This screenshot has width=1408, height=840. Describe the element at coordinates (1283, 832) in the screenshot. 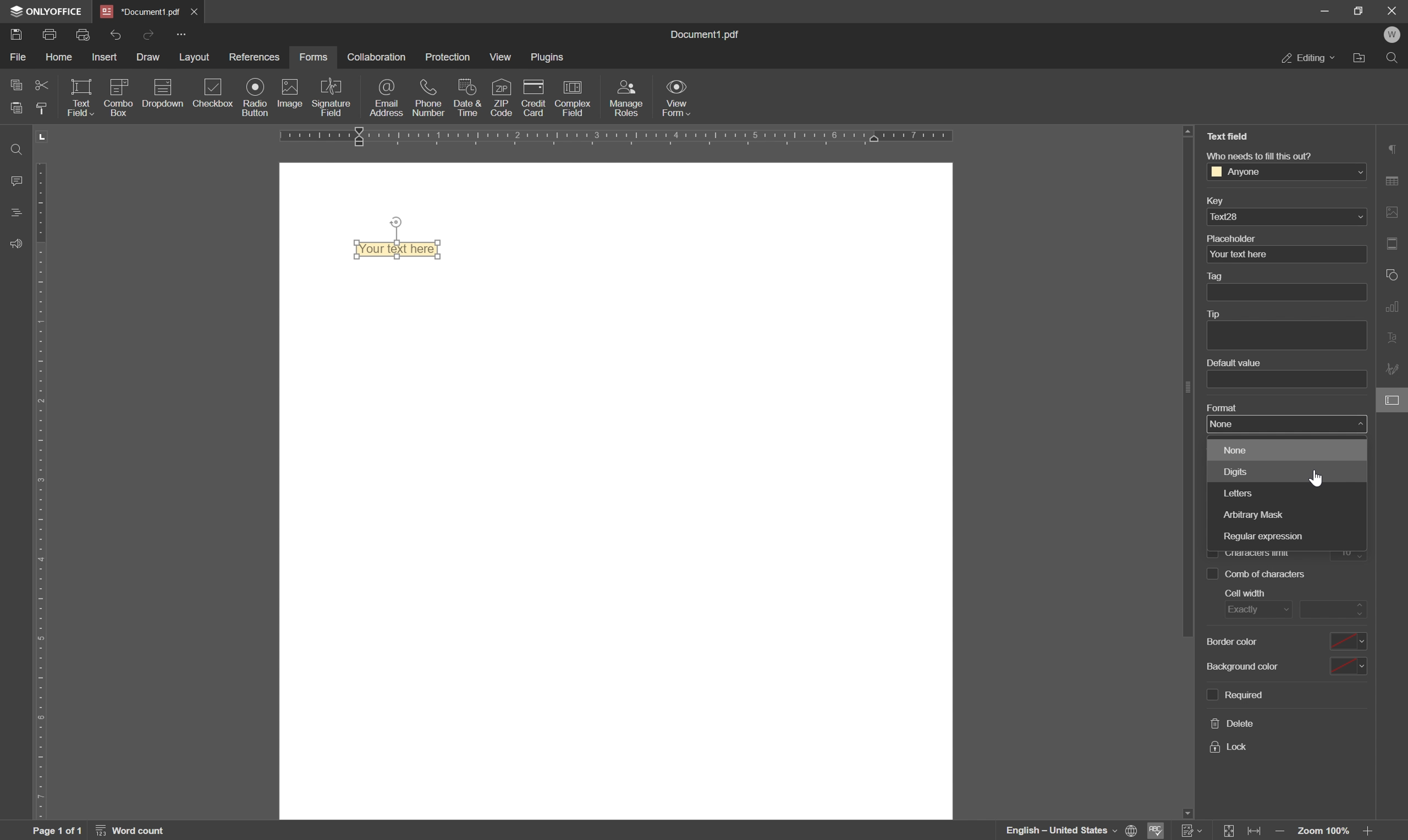

I see `zoom in` at that location.